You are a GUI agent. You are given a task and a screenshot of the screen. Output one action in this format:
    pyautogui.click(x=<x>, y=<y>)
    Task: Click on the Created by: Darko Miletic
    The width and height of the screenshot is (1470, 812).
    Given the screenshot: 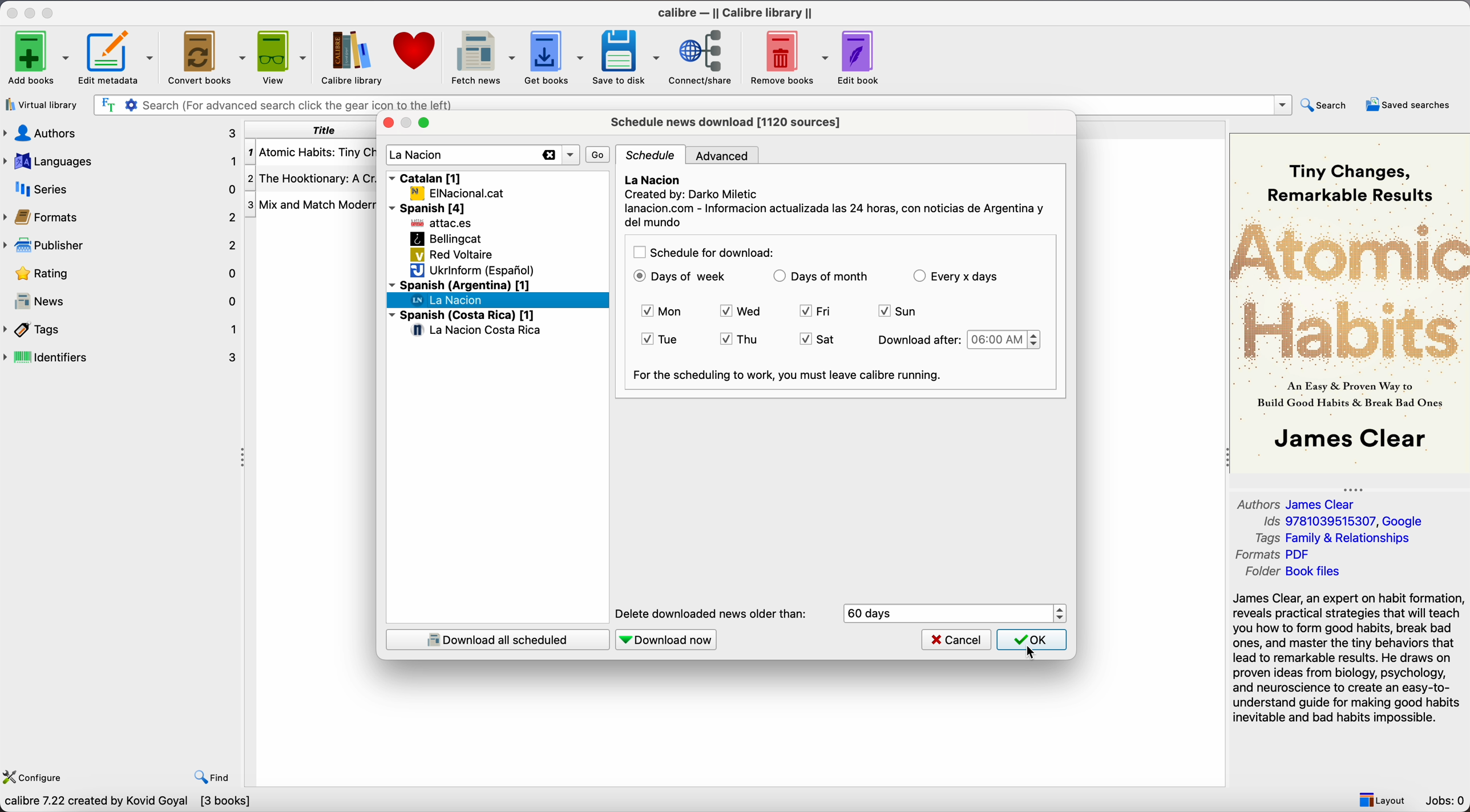 What is the action you would take?
    pyautogui.click(x=694, y=196)
    